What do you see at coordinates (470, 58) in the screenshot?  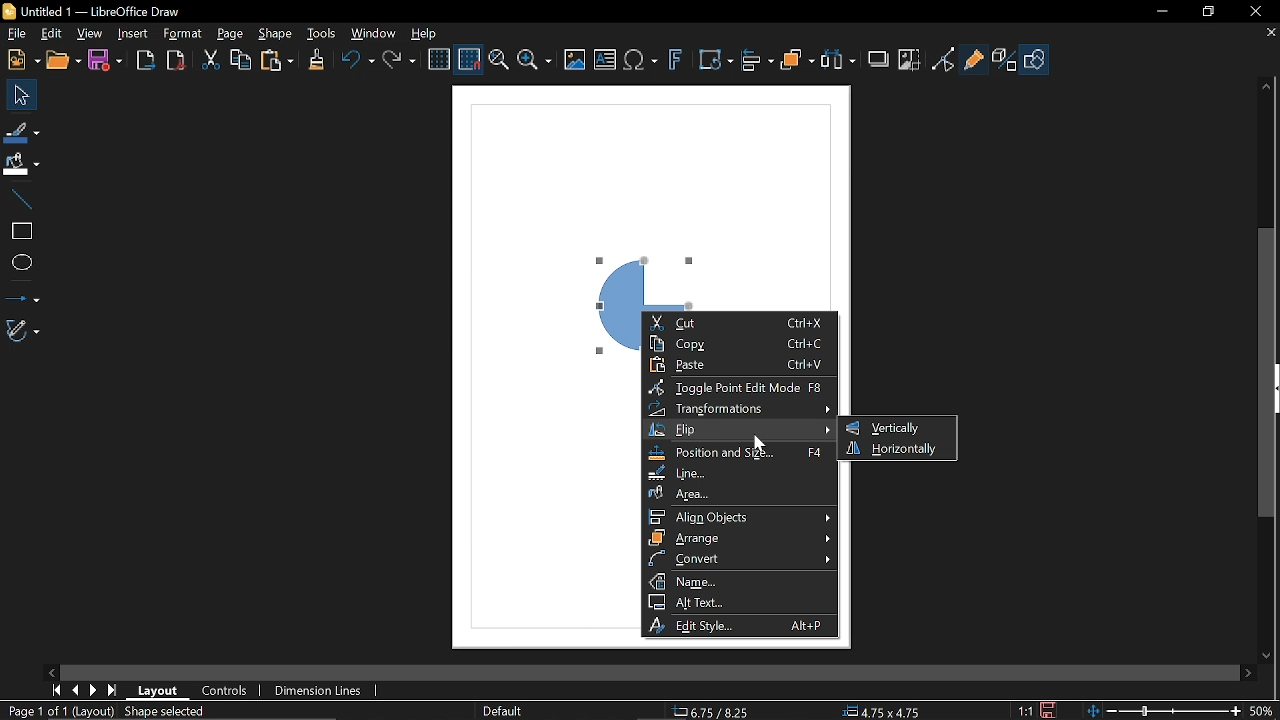 I see `Display to grid` at bounding box center [470, 58].